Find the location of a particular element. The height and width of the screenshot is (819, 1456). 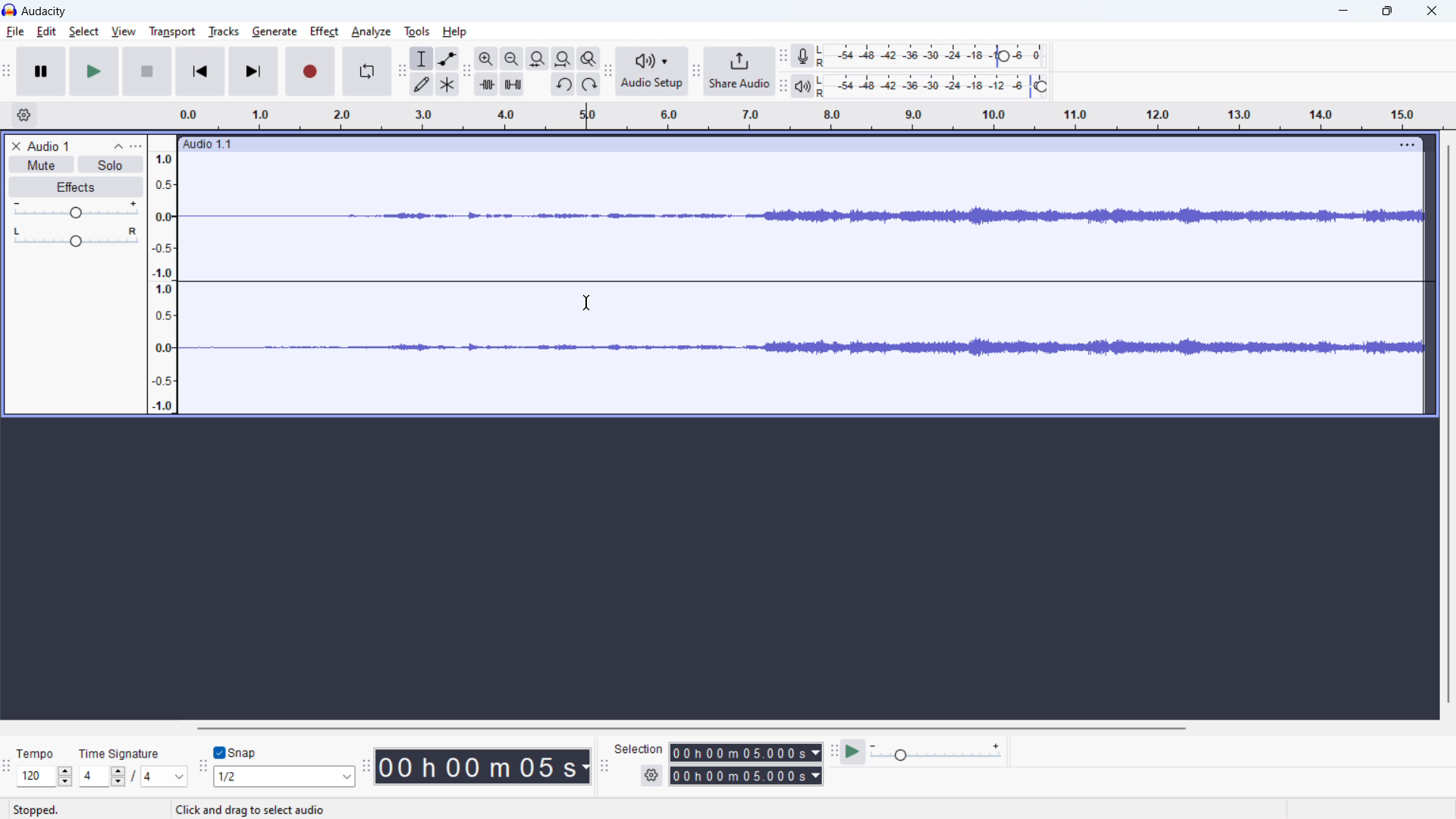

fit project to width is located at coordinates (563, 58).